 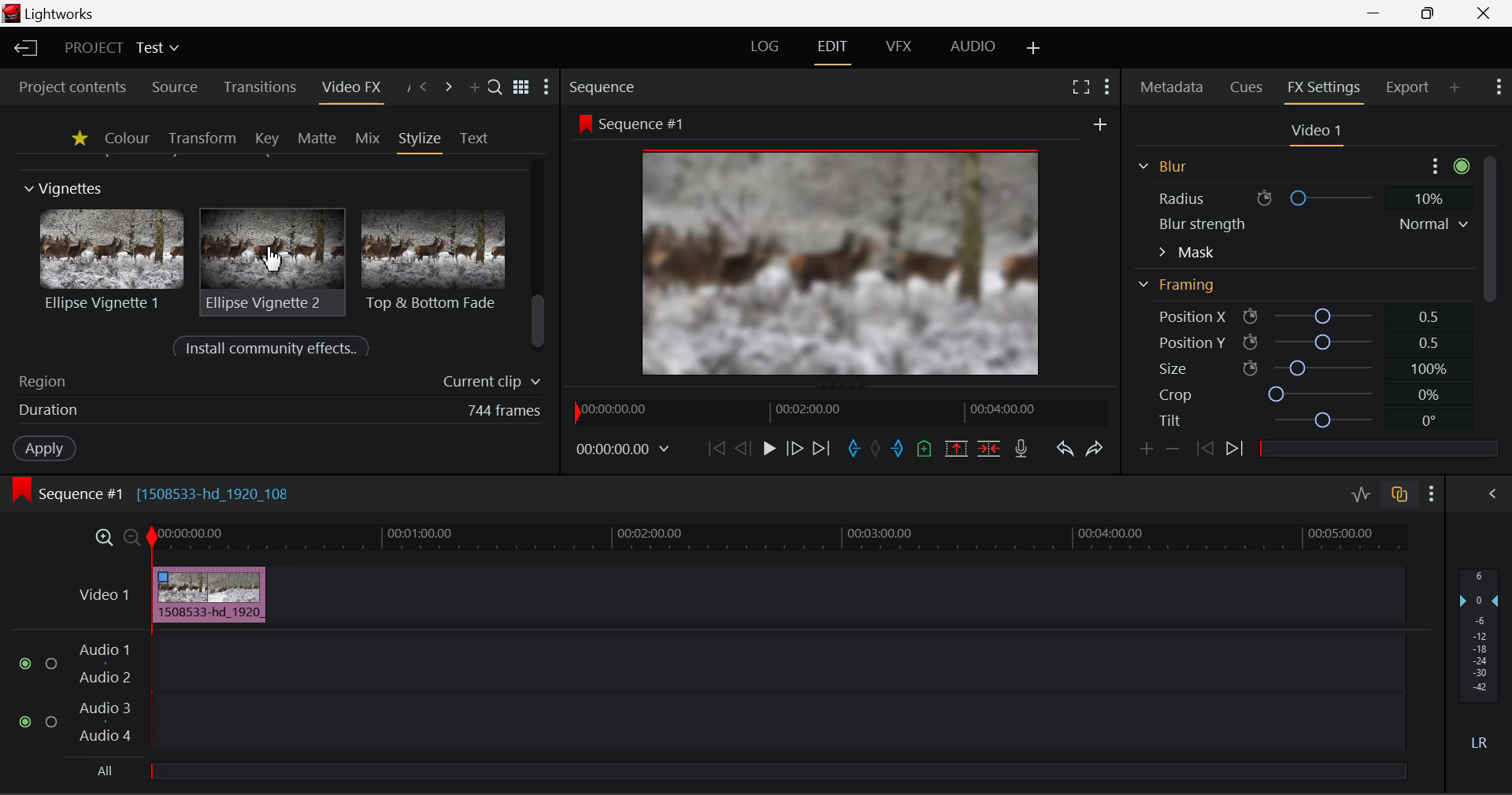 I want to click on Stylize Panel Open, so click(x=421, y=138).